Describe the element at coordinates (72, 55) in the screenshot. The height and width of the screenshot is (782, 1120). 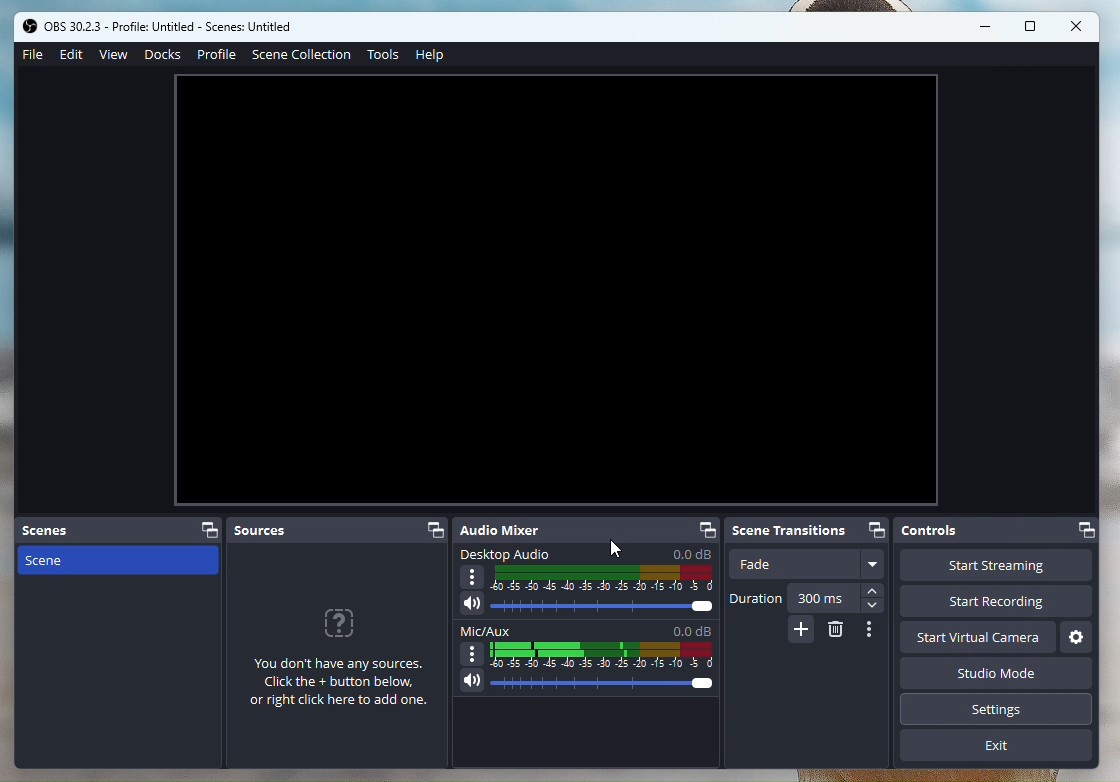
I see `Edit` at that location.